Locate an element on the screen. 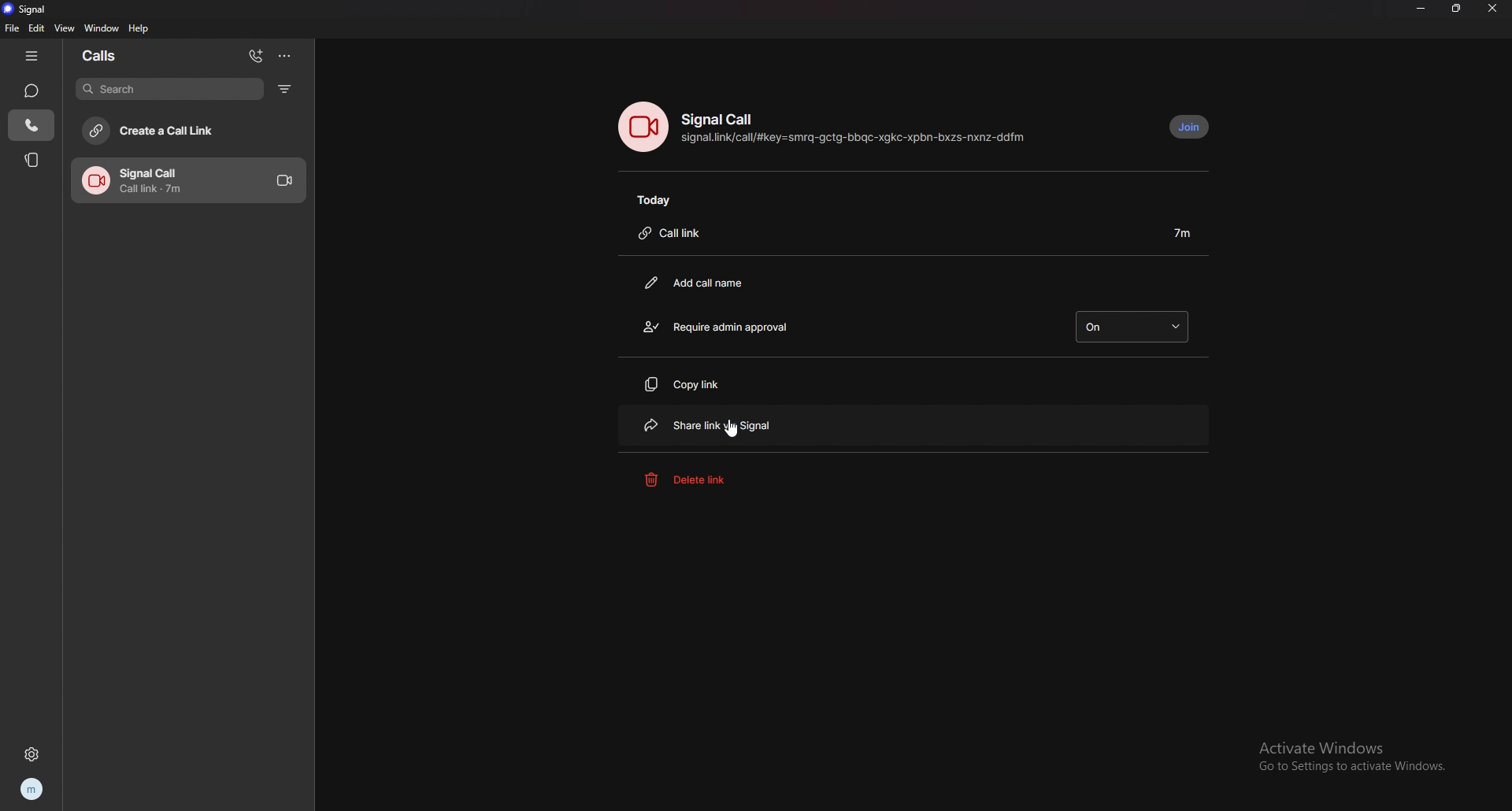 Image resolution: width=1512 pixels, height=811 pixels. resize is located at coordinates (1458, 8).